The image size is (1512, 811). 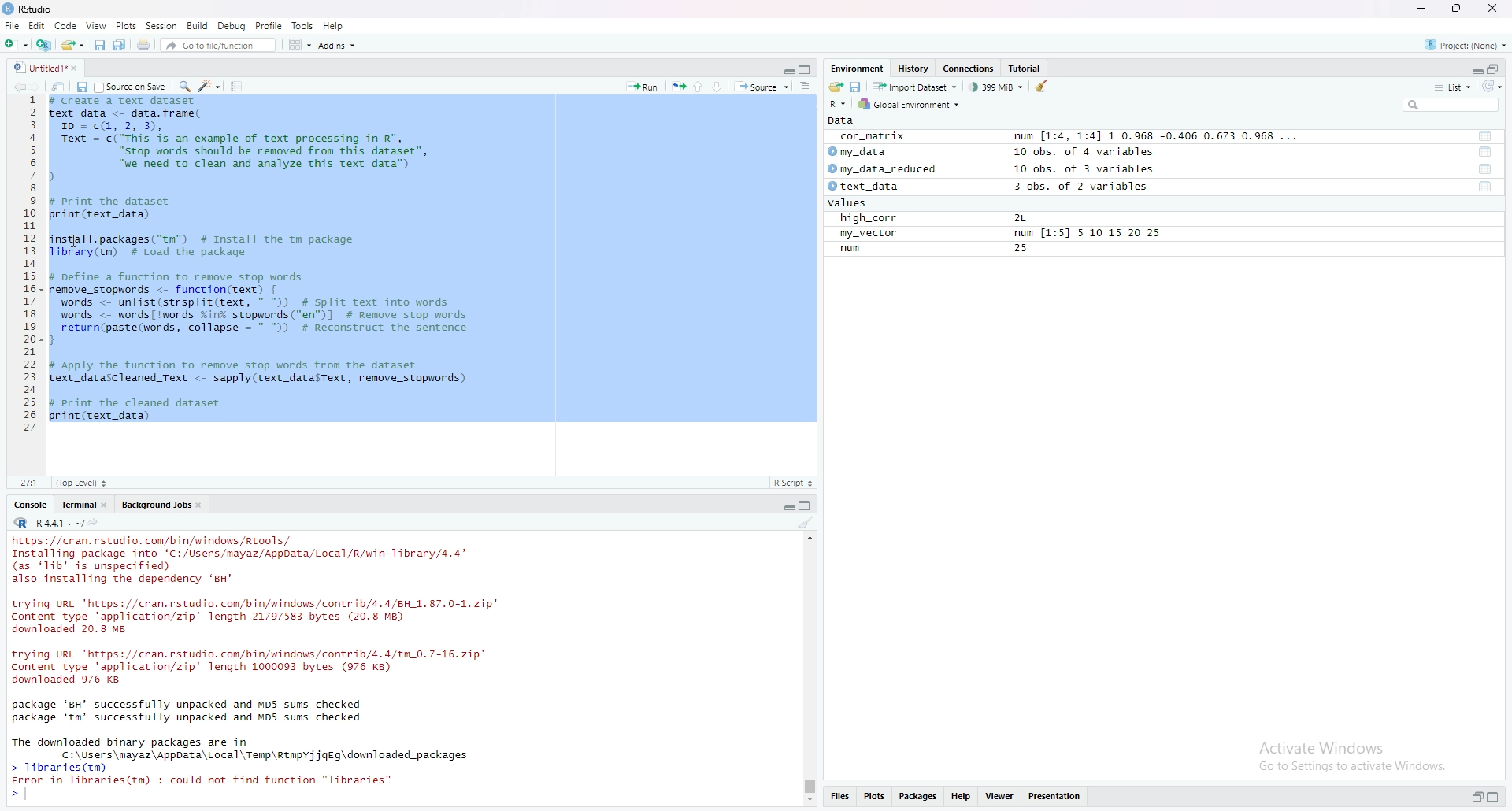 What do you see at coordinates (858, 150) in the screenshot?
I see ` my data` at bounding box center [858, 150].